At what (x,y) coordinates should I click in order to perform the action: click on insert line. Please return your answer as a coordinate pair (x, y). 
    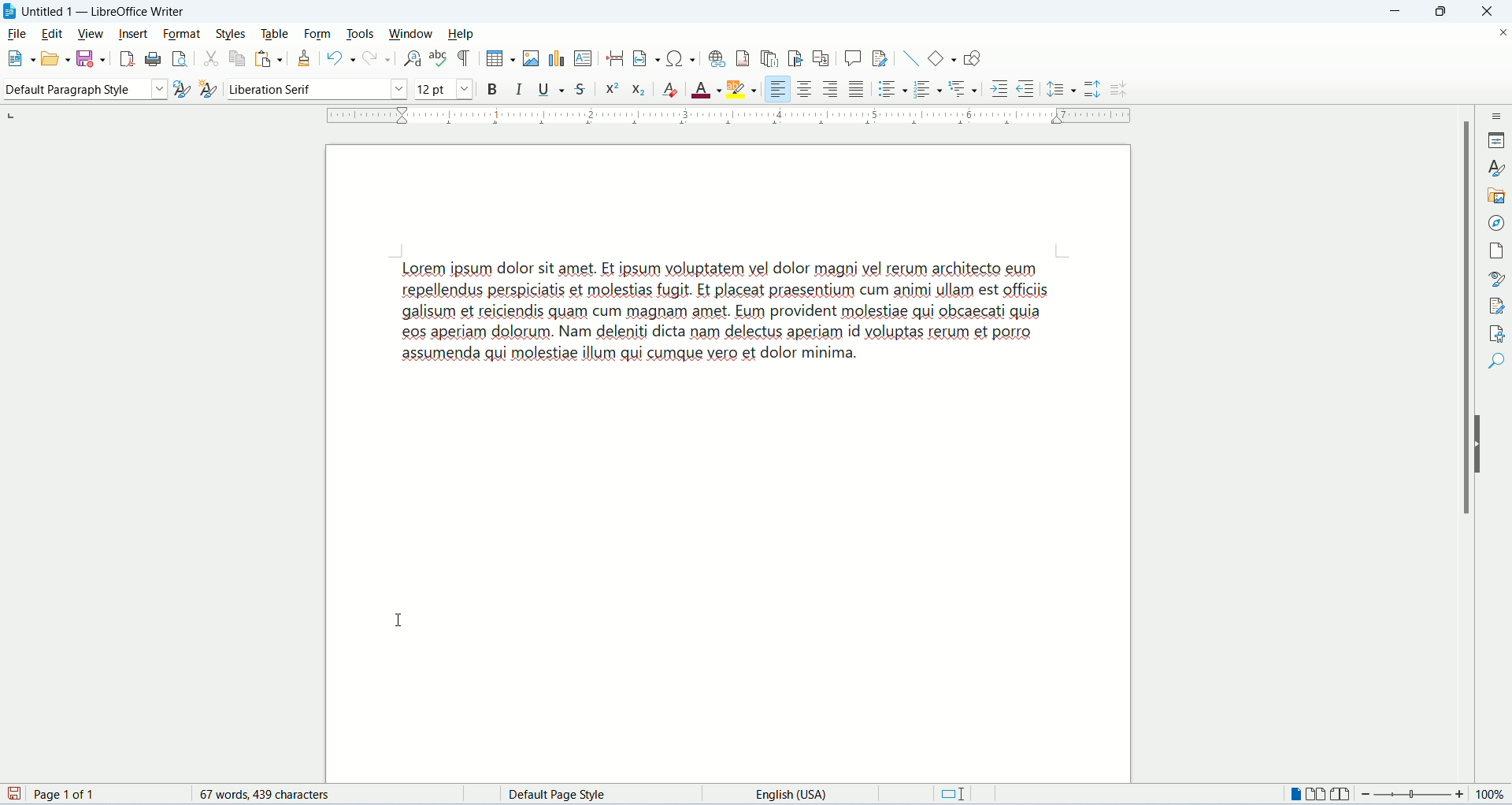
    Looking at the image, I should click on (911, 59).